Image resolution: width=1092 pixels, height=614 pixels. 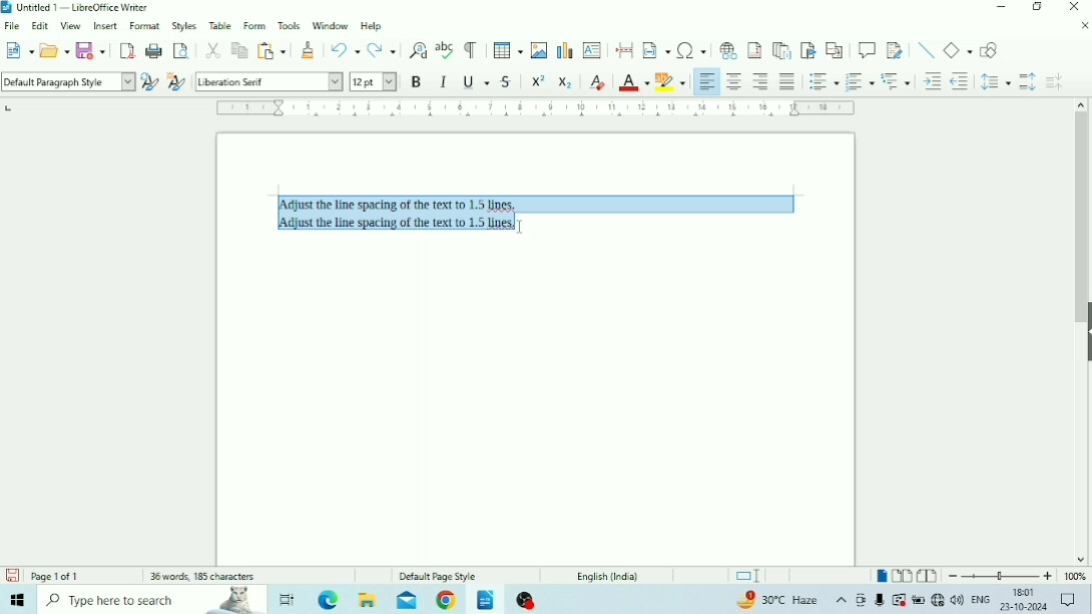 I want to click on Internet, so click(x=938, y=600).